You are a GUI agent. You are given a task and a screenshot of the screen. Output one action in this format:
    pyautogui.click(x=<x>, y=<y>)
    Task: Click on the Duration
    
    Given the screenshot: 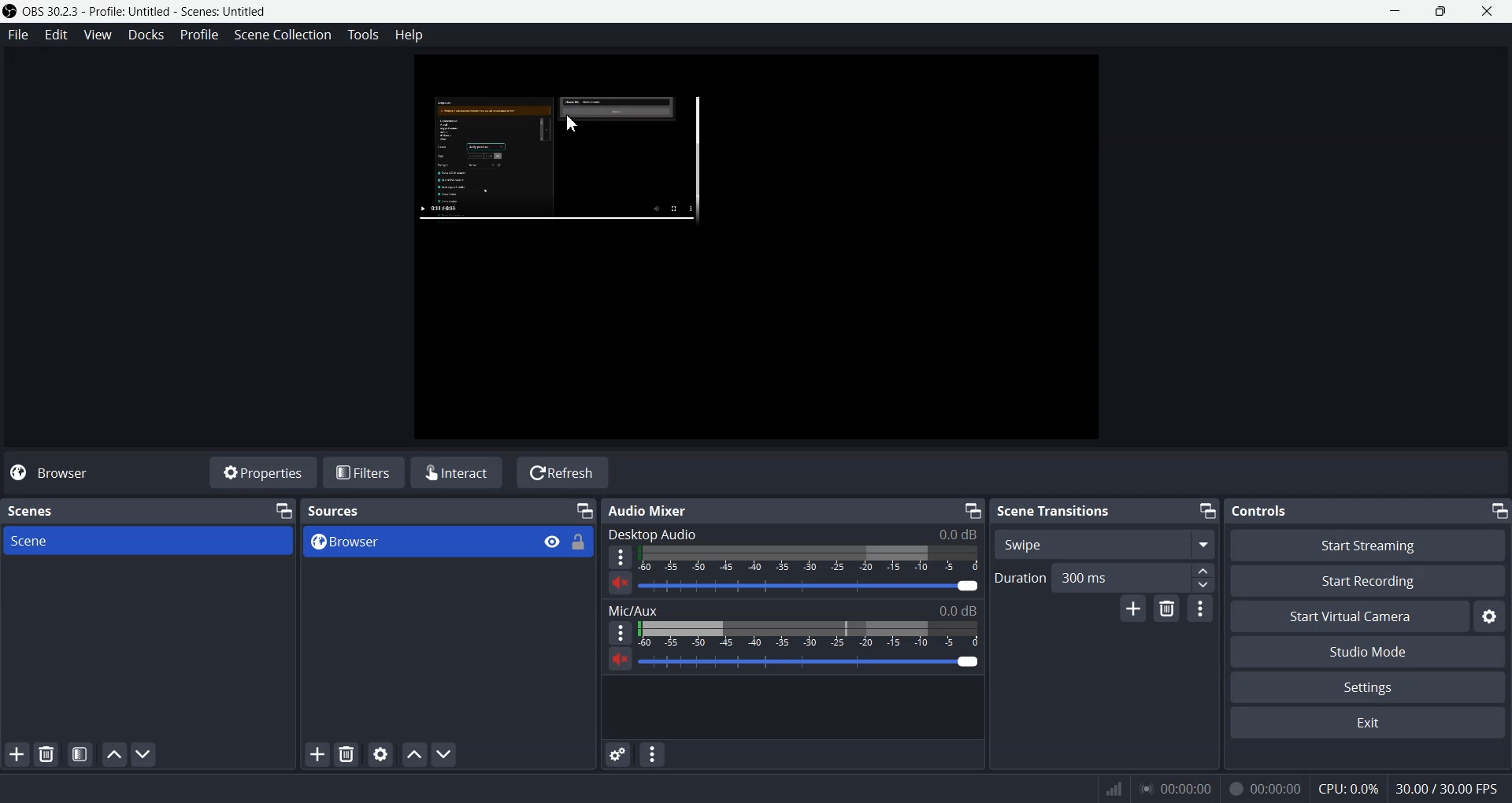 What is the action you would take?
    pyautogui.click(x=1021, y=578)
    